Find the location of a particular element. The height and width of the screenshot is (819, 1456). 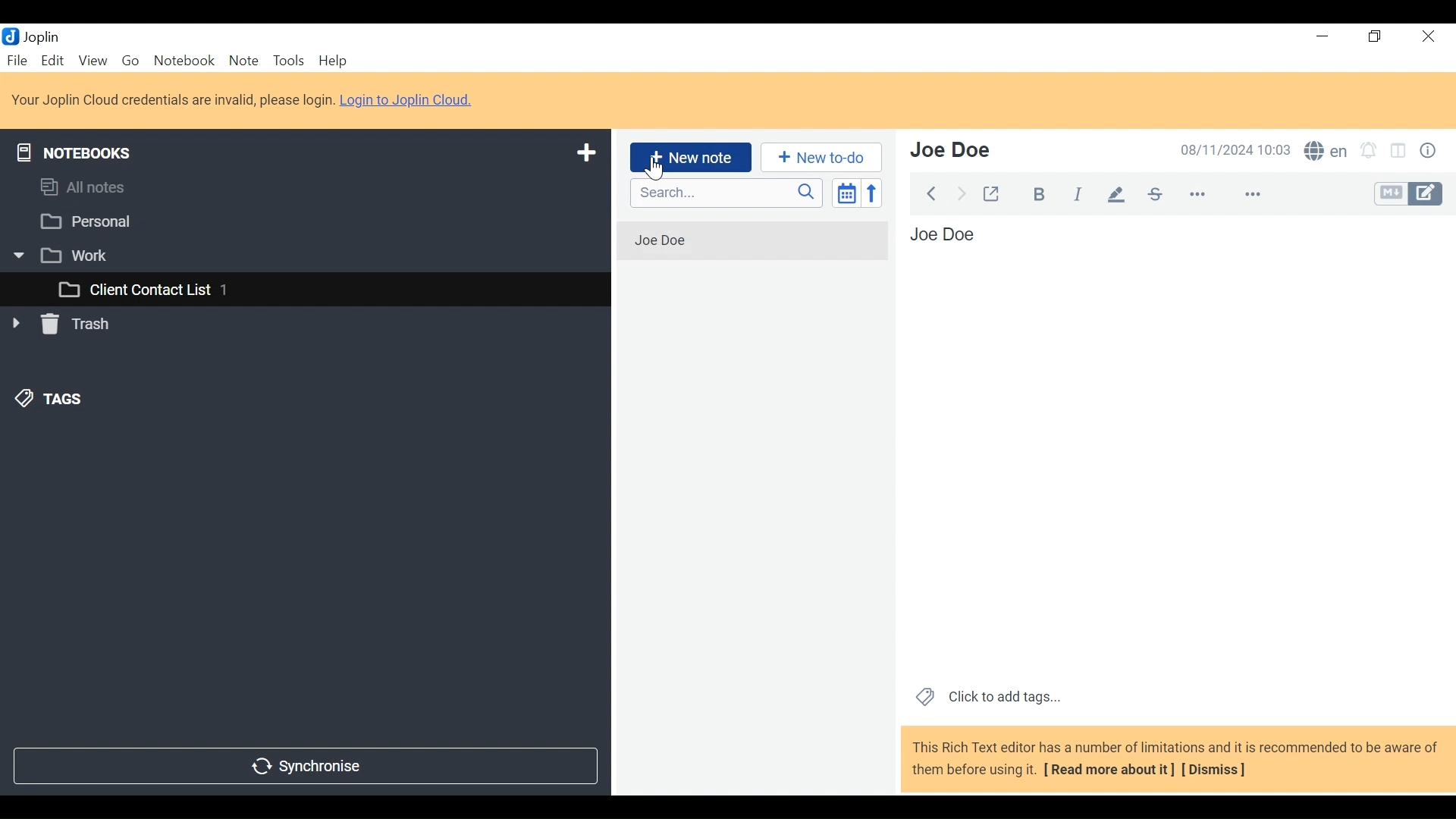

Jon Doe is located at coordinates (1175, 448).